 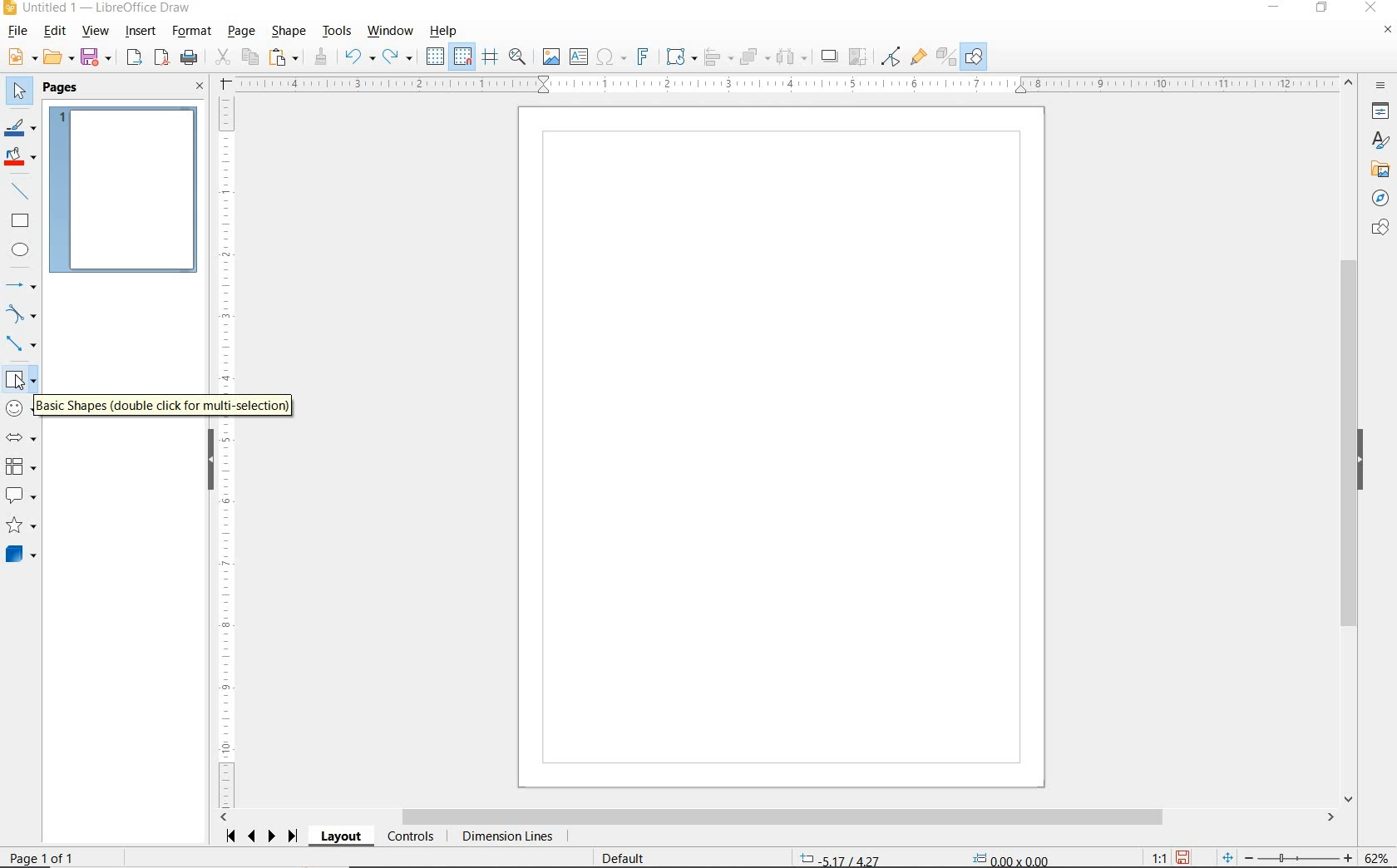 I want to click on LAYOUT, so click(x=343, y=836).